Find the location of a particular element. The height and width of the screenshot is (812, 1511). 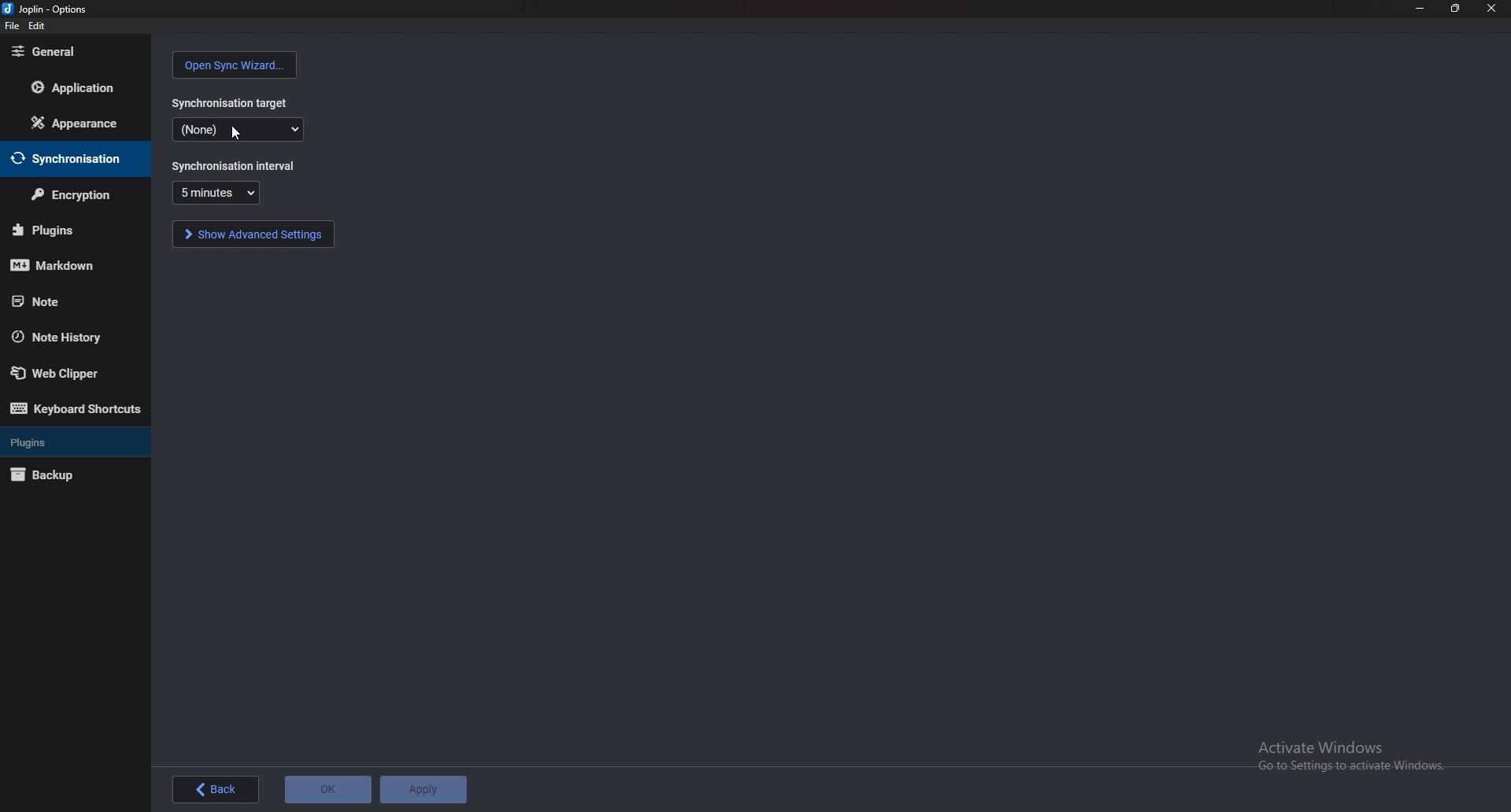

Edit is located at coordinates (35, 26).